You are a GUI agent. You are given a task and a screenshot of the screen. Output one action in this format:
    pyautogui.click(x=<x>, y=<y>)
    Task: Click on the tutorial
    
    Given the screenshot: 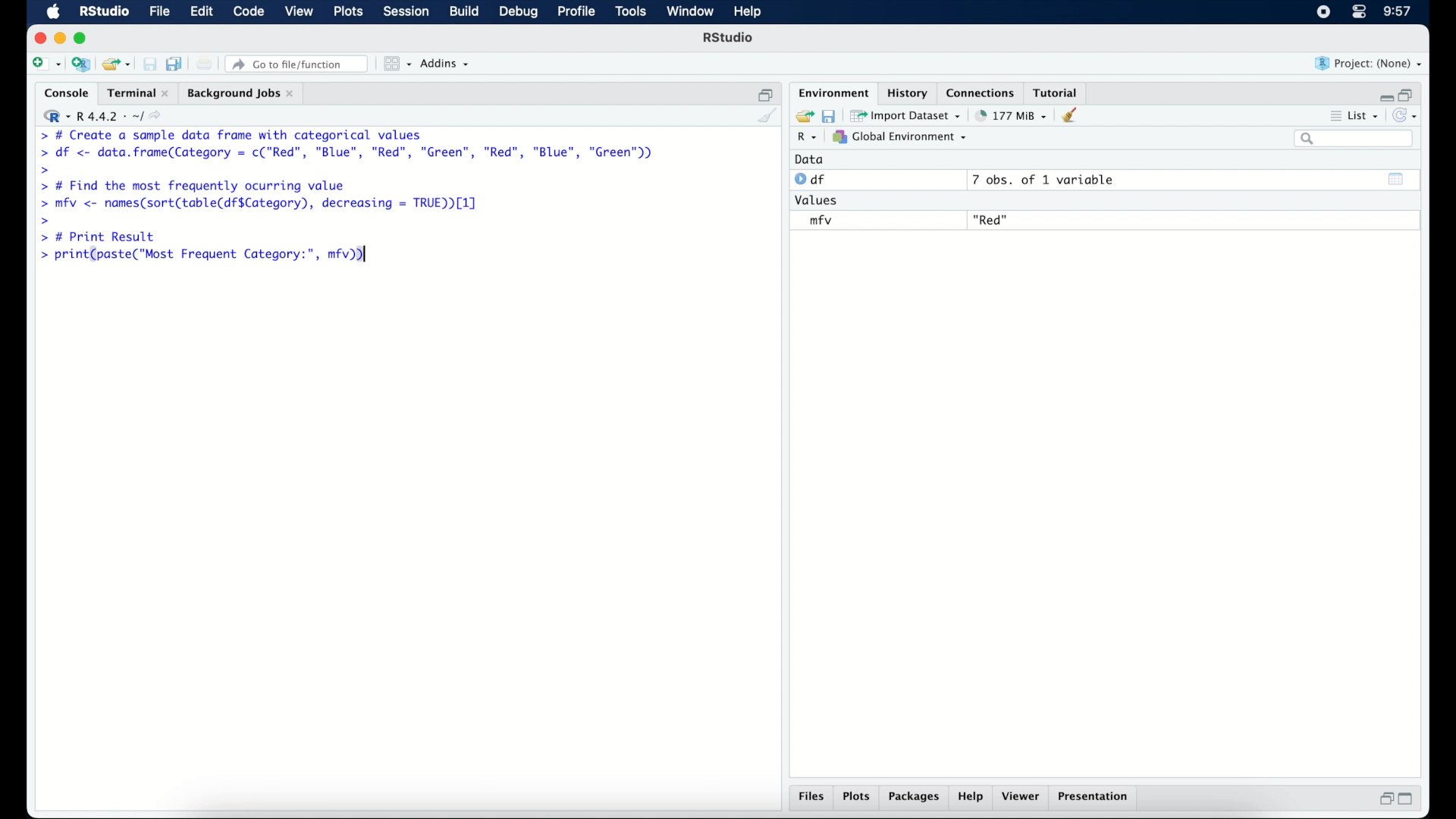 What is the action you would take?
    pyautogui.click(x=1059, y=92)
    